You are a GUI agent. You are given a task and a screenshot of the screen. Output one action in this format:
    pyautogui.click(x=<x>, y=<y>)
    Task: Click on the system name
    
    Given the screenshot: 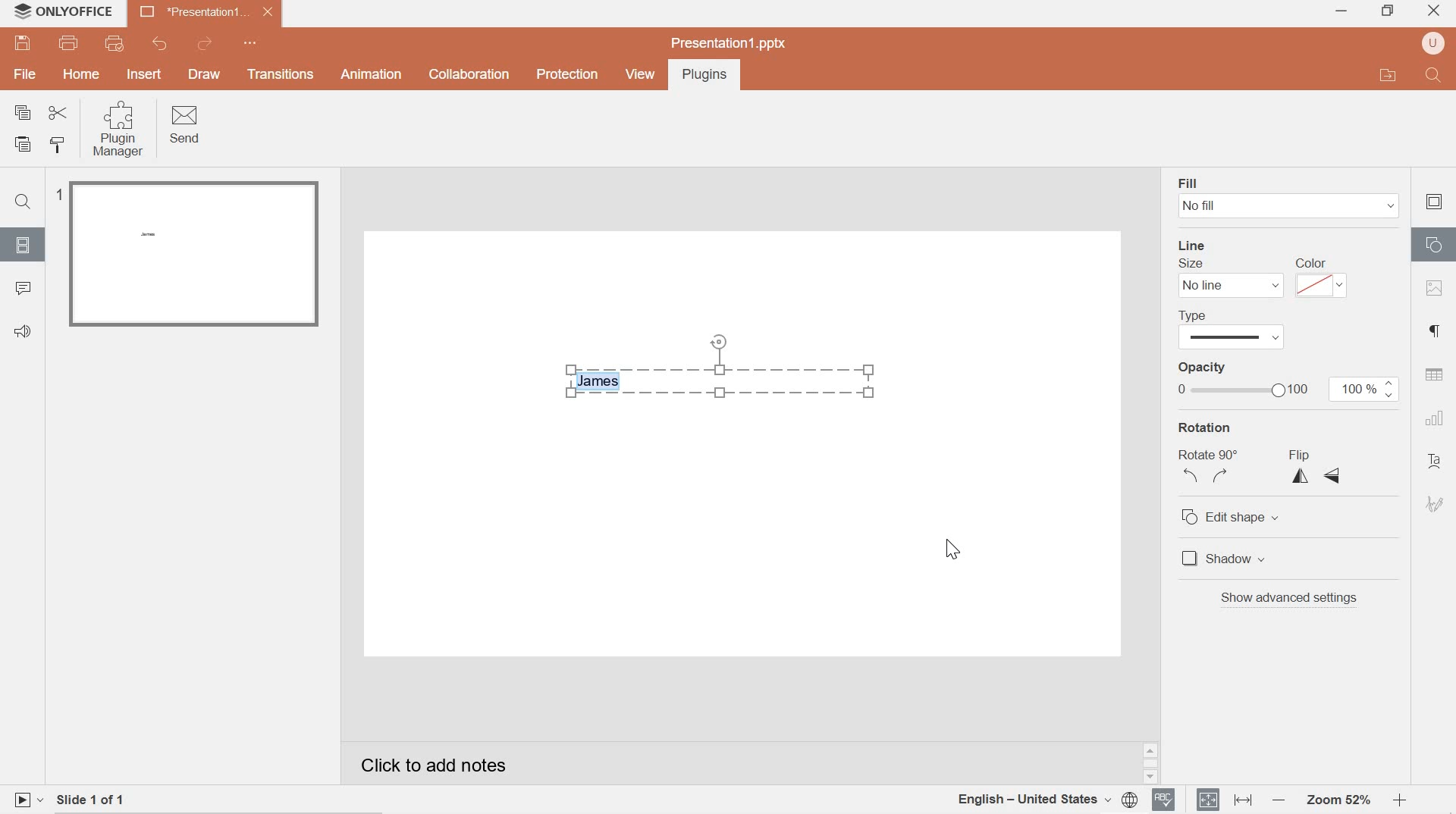 What is the action you would take?
    pyautogui.click(x=81, y=11)
    